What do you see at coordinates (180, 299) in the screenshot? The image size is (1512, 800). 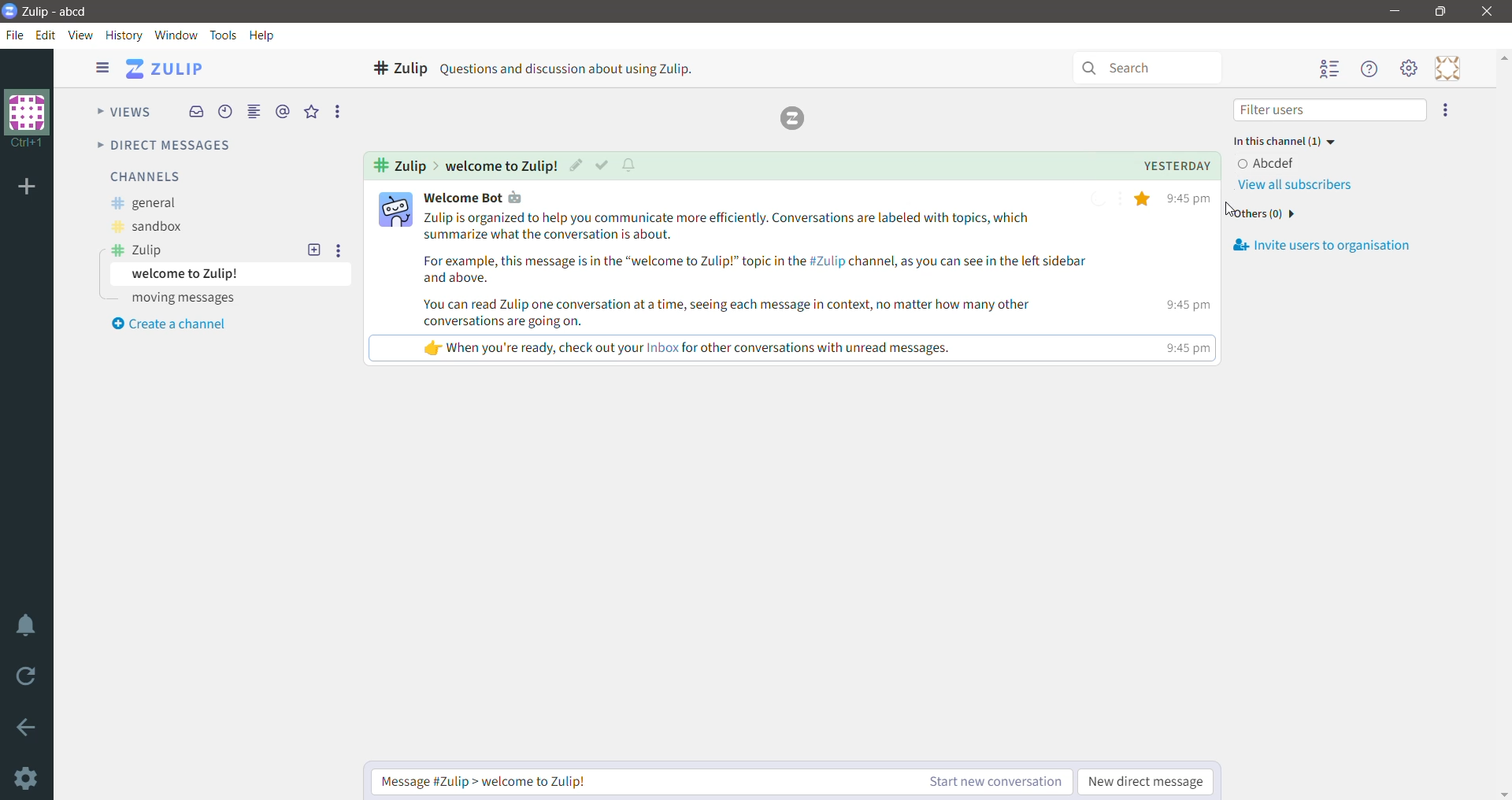 I see `moving messages` at bounding box center [180, 299].